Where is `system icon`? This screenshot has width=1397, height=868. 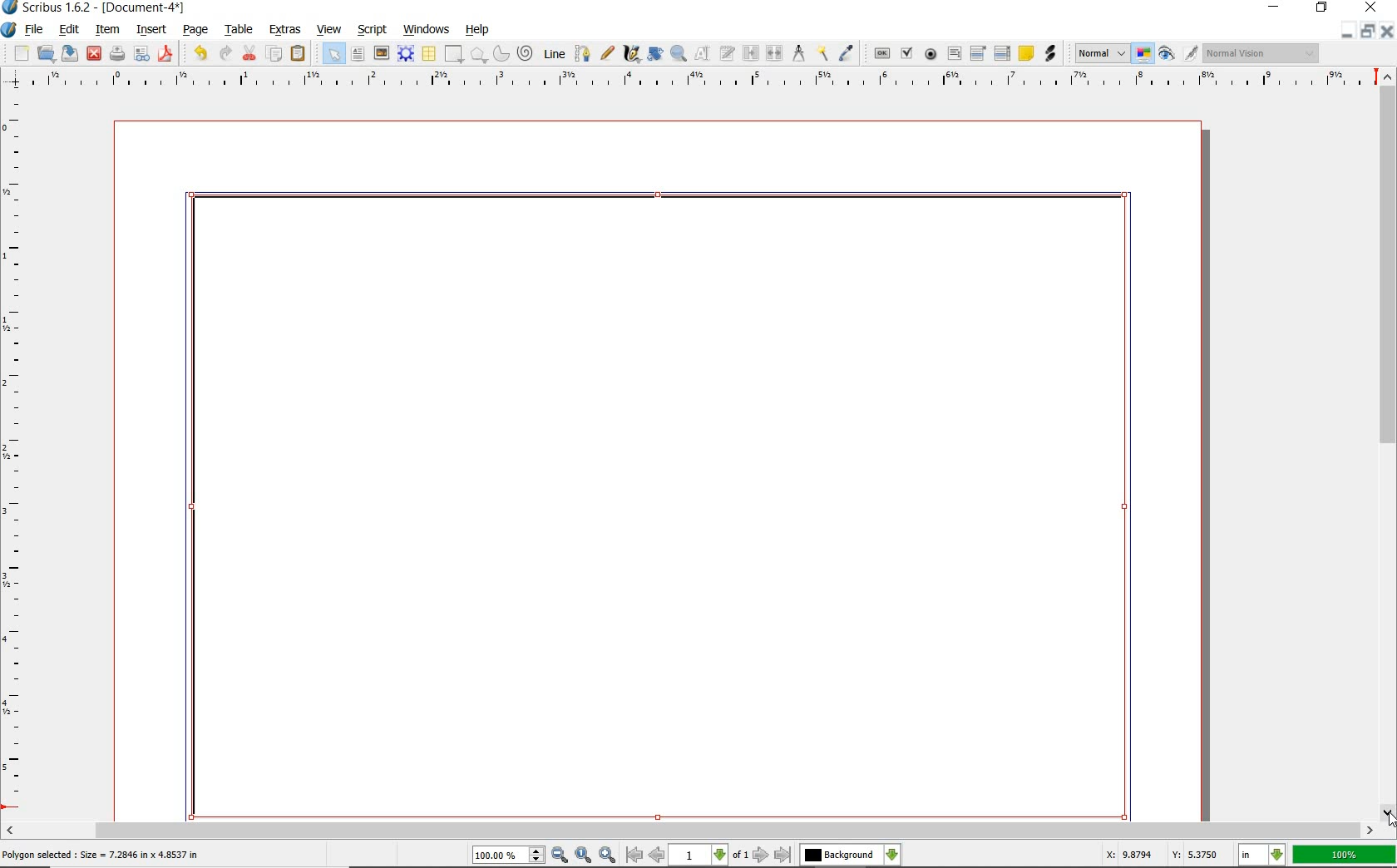
system icon is located at coordinates (9, 29).